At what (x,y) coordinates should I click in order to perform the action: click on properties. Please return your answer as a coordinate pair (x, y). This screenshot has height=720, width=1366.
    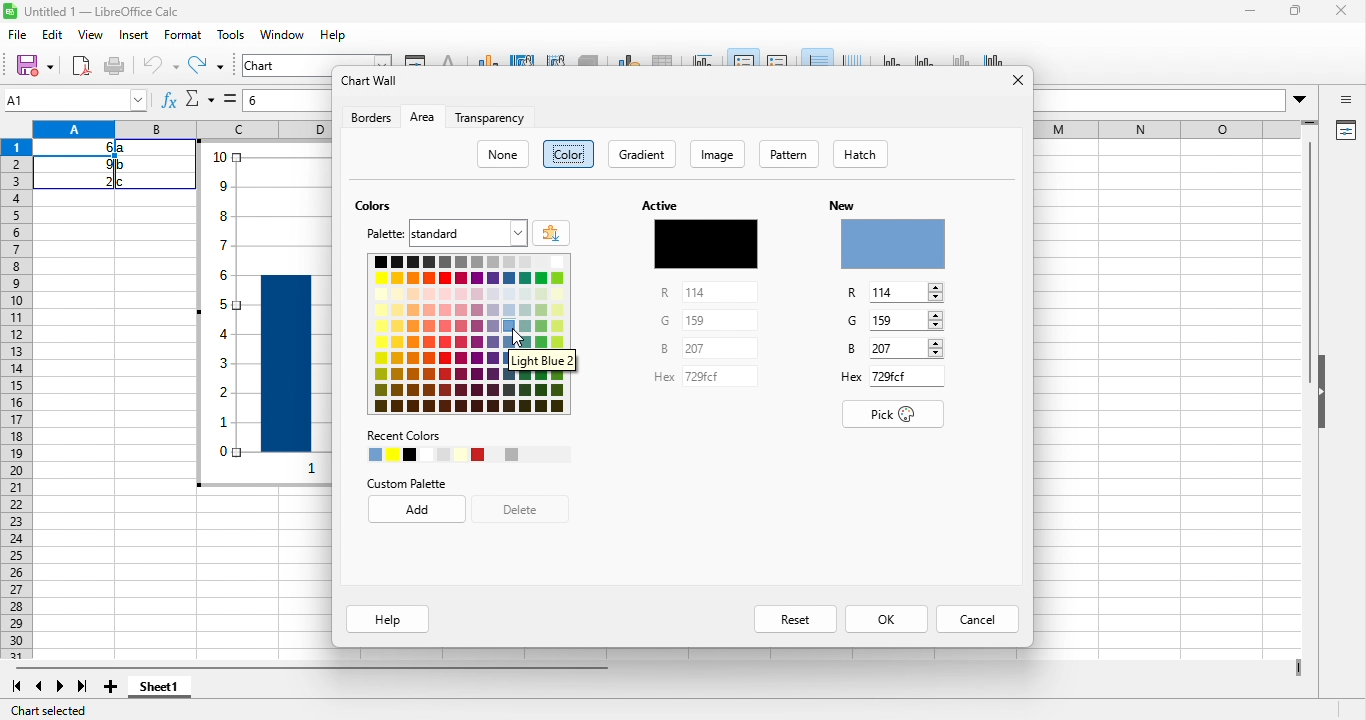
    Looking at the image, I should click on (1346, 131).